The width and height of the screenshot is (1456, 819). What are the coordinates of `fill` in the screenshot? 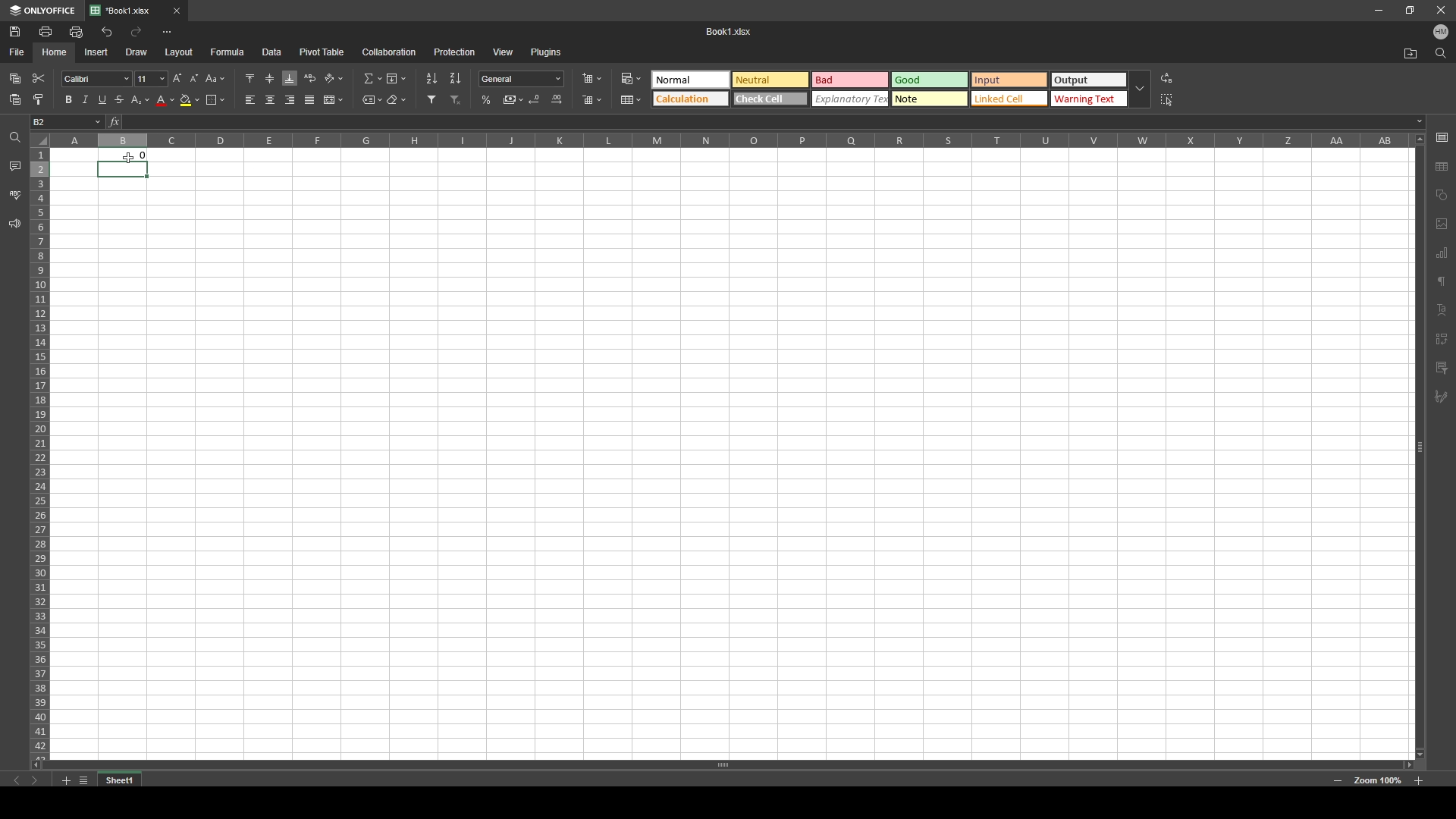 It's located at (396, 77).